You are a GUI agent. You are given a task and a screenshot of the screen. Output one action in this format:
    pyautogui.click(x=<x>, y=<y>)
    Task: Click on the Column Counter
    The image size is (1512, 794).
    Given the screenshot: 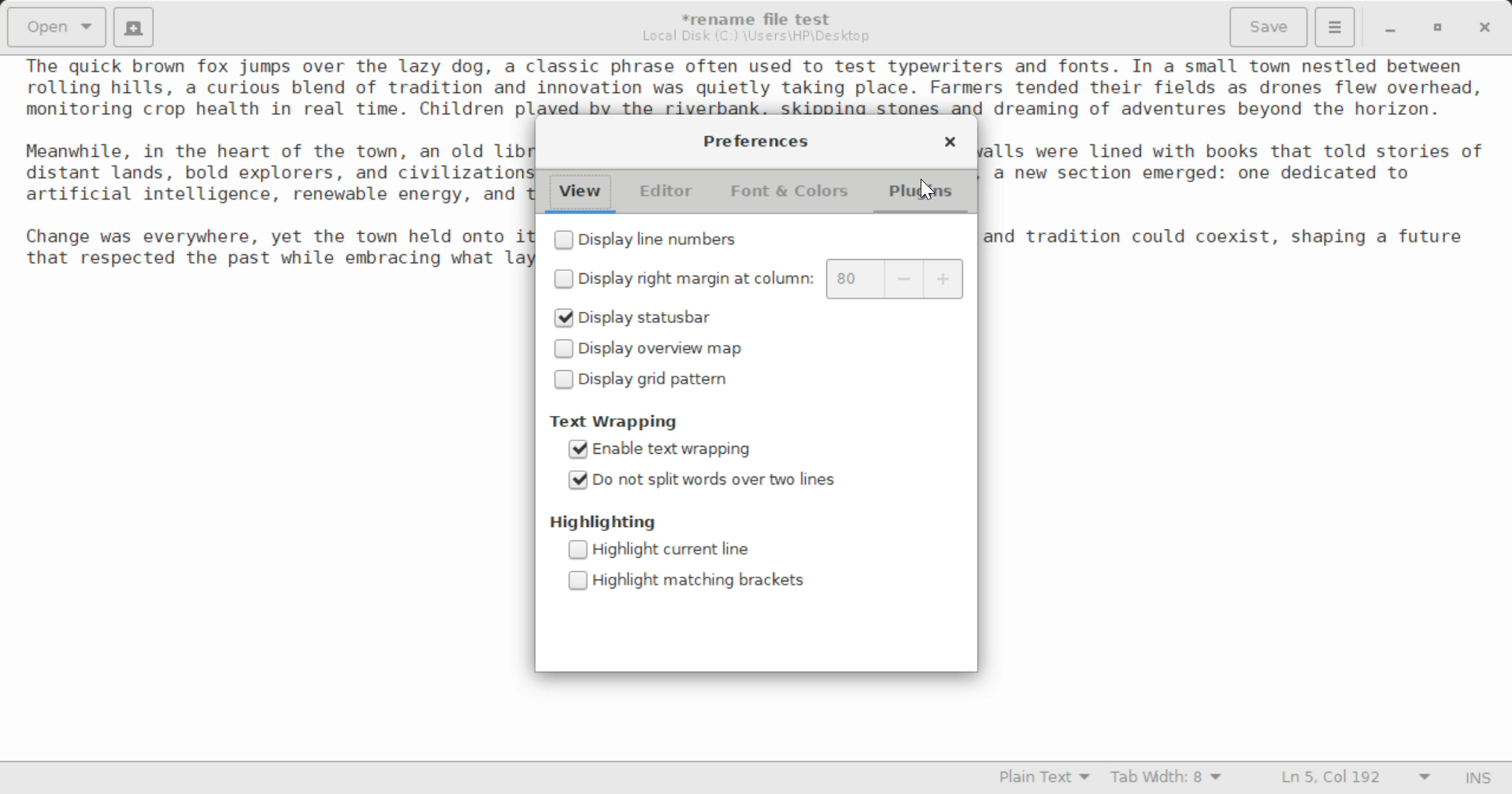 What is the action you would take?
    pyautogui.click(x=897, y=280)
    